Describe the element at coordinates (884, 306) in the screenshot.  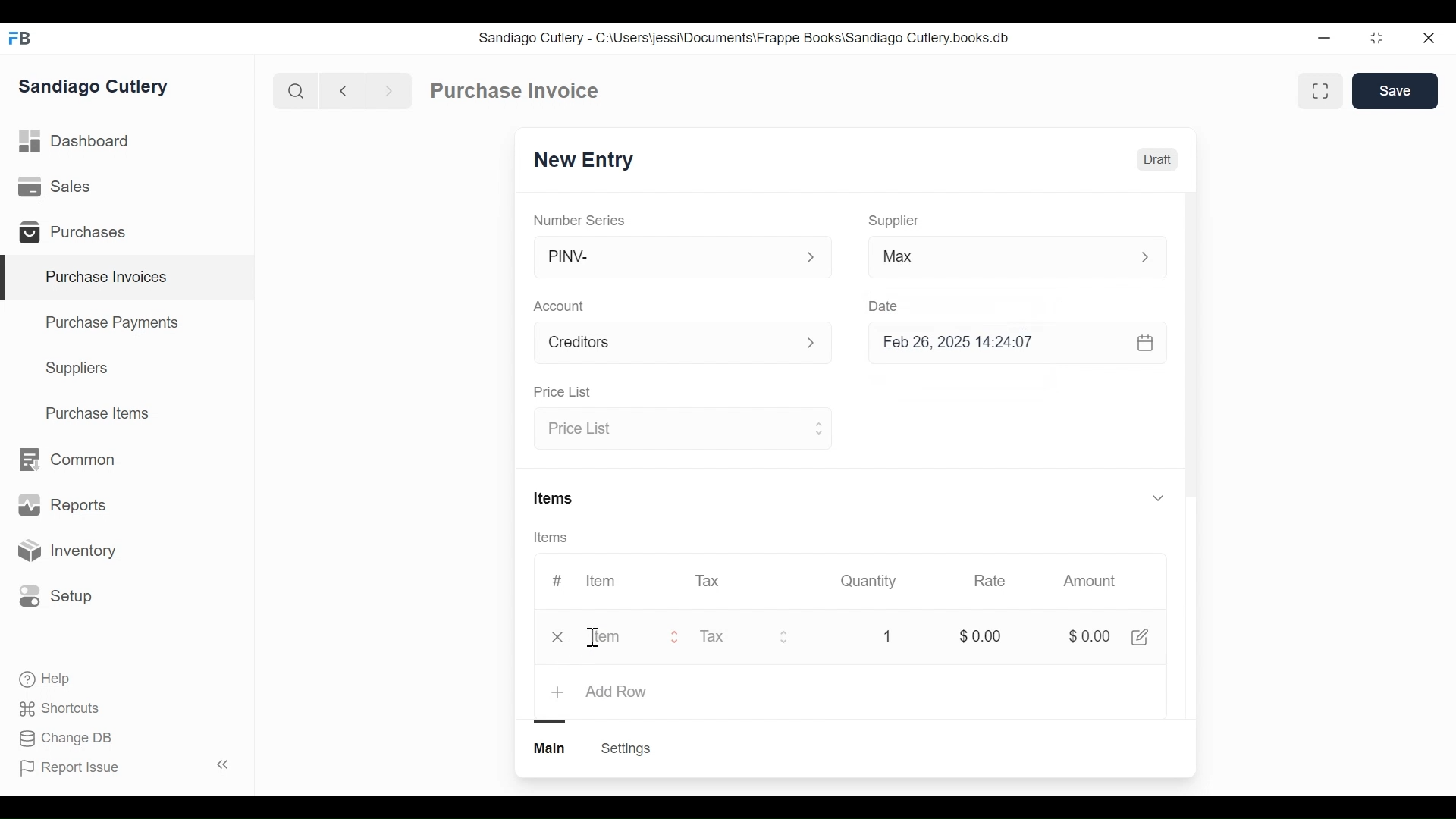
I see `Date` at that location.